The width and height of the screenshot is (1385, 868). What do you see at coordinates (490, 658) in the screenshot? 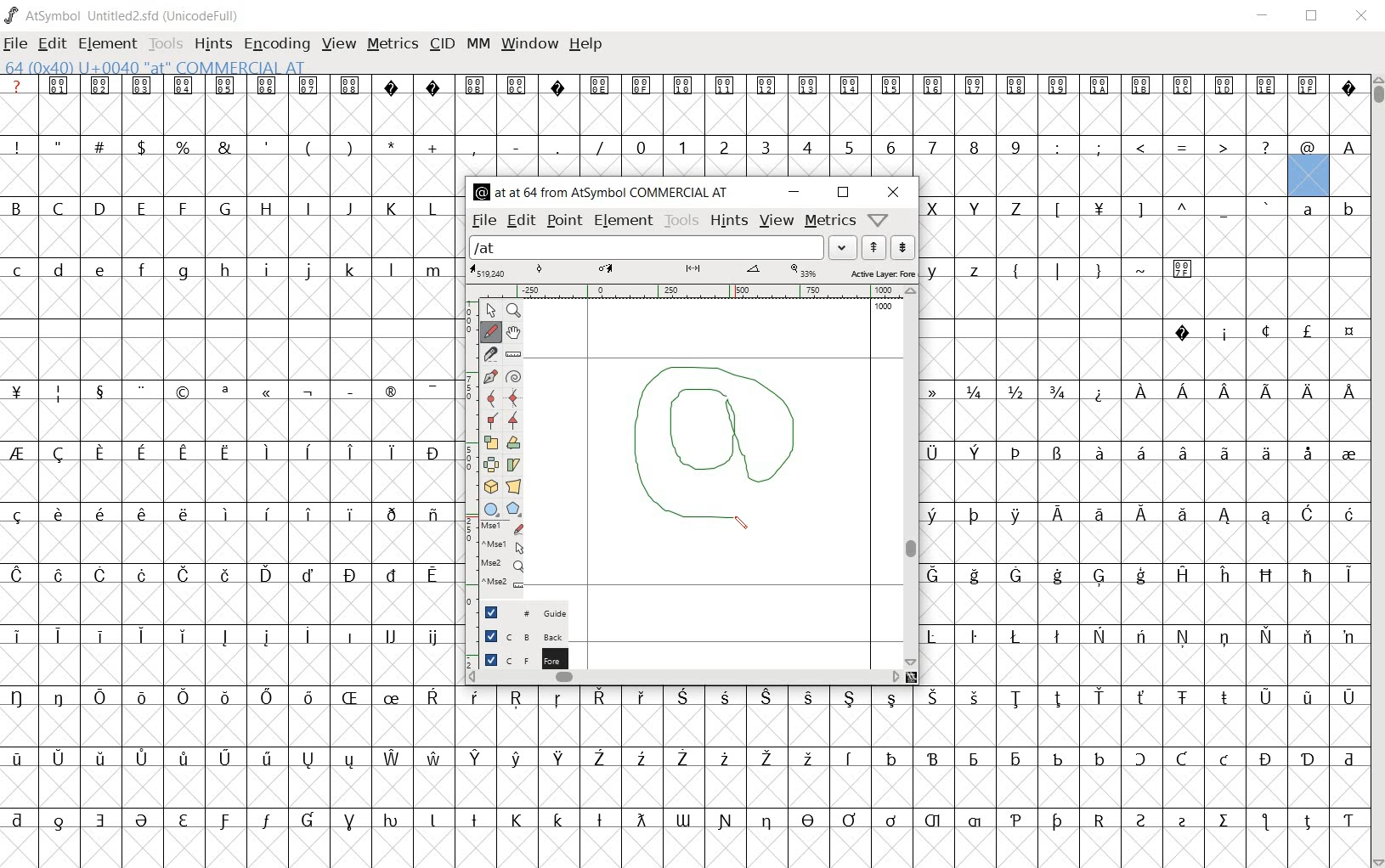
I see `checkbox` at bounding box center [490, 658].